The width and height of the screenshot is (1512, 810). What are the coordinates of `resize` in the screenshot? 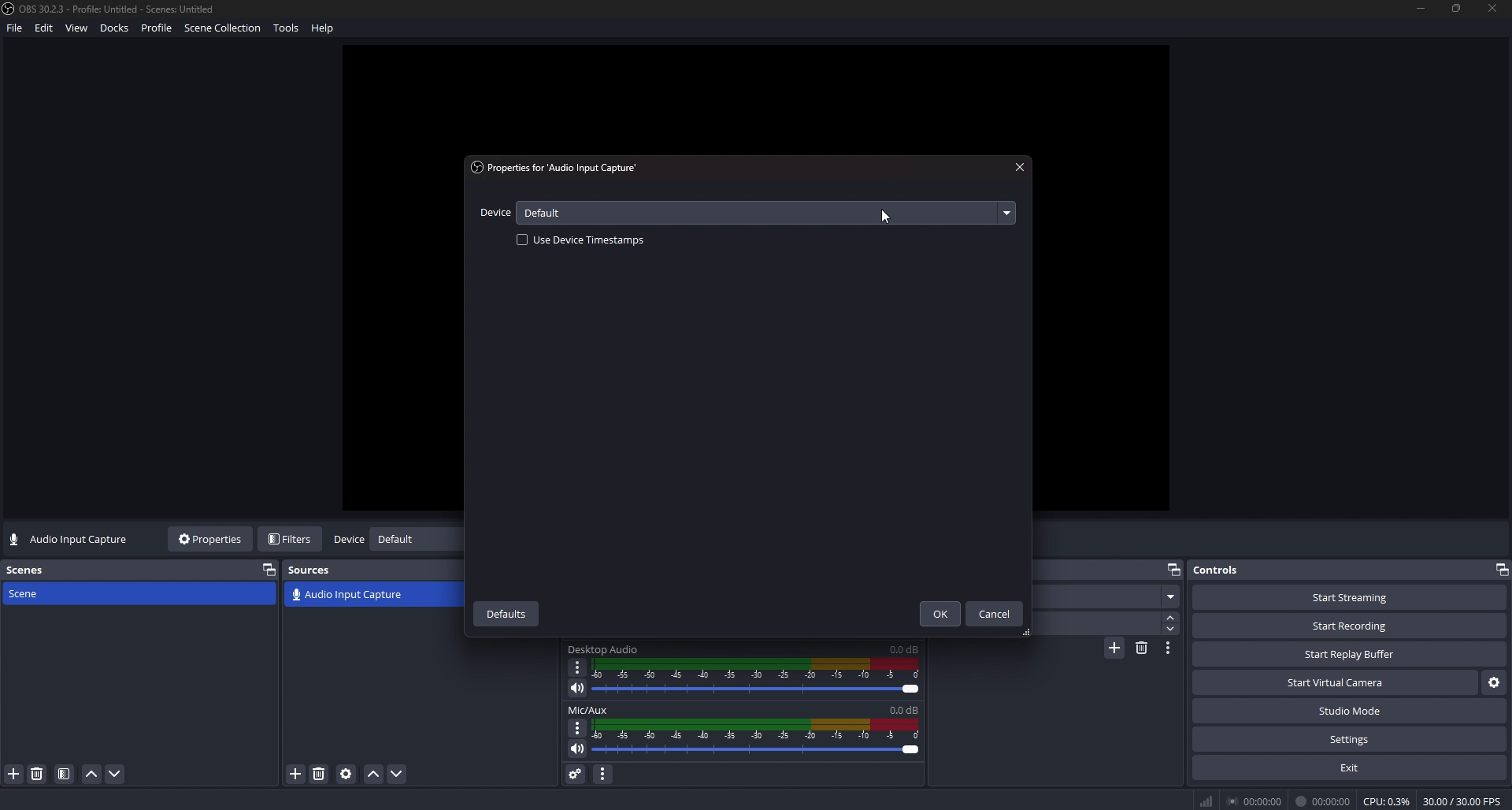 It's located at (1458, 7).